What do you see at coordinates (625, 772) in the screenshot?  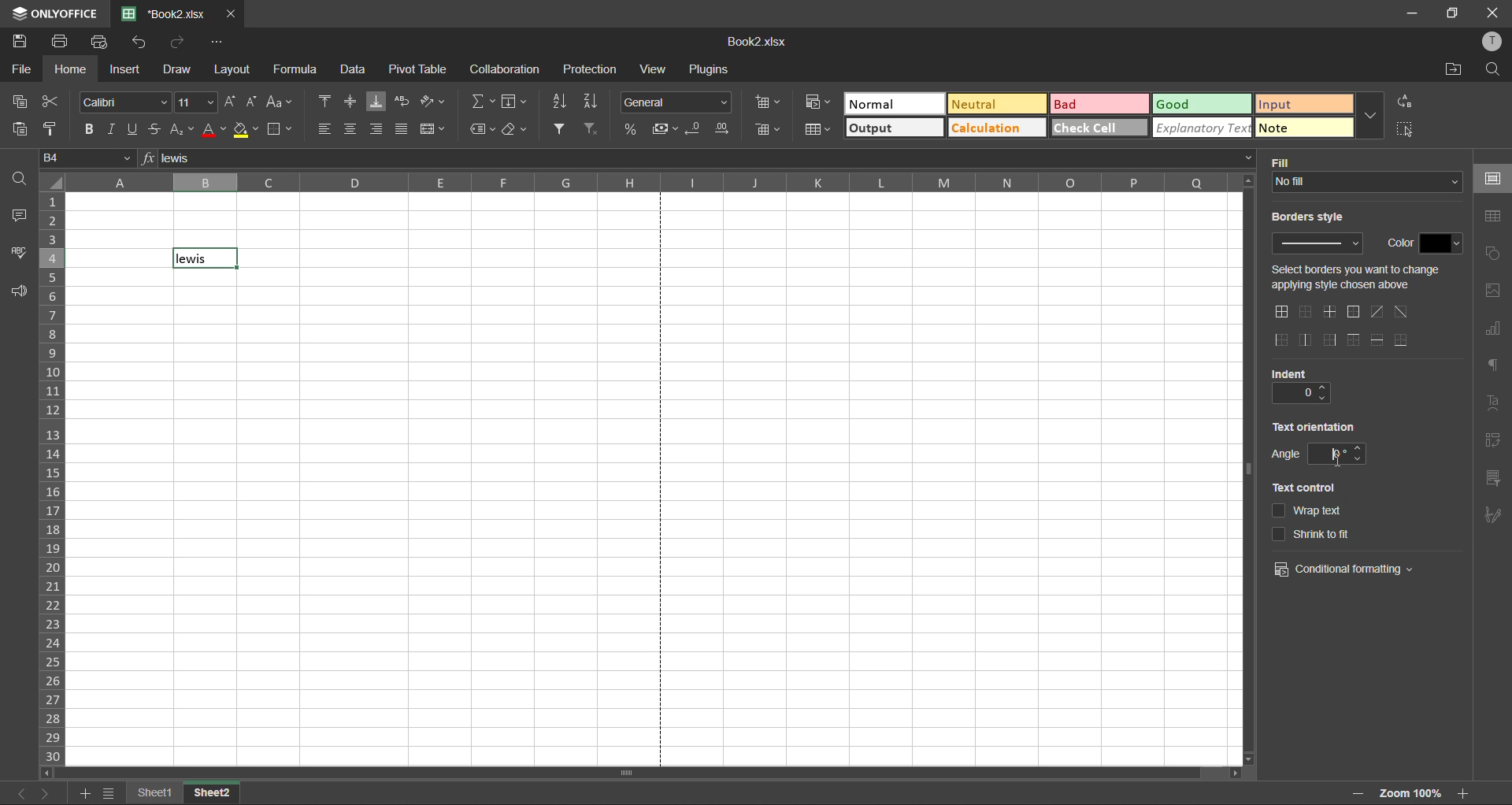 I see `horizontal scrollbar` at bounding box center [625, 772].